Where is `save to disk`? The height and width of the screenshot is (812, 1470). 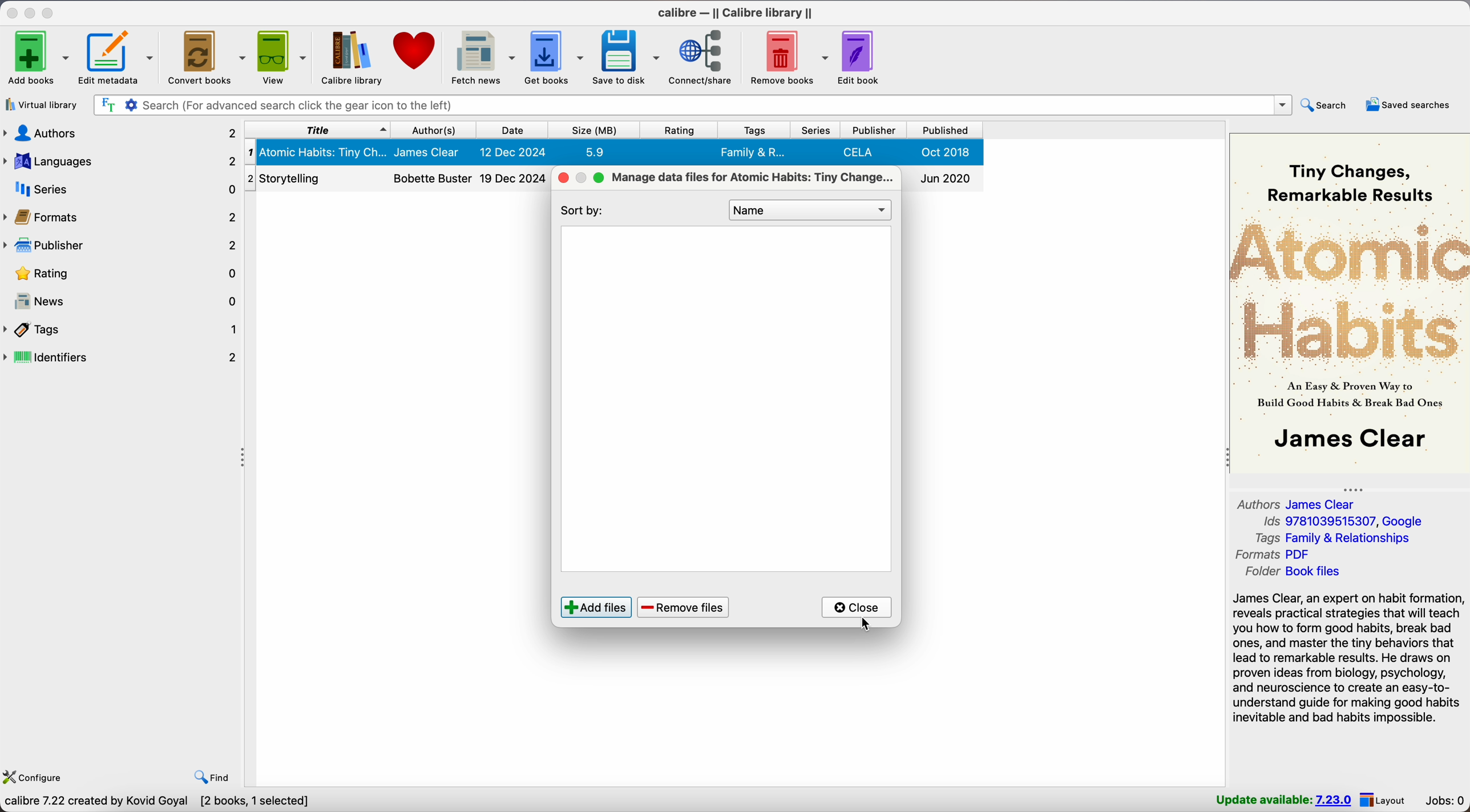
save to disk is located at coordinates (627, 58).